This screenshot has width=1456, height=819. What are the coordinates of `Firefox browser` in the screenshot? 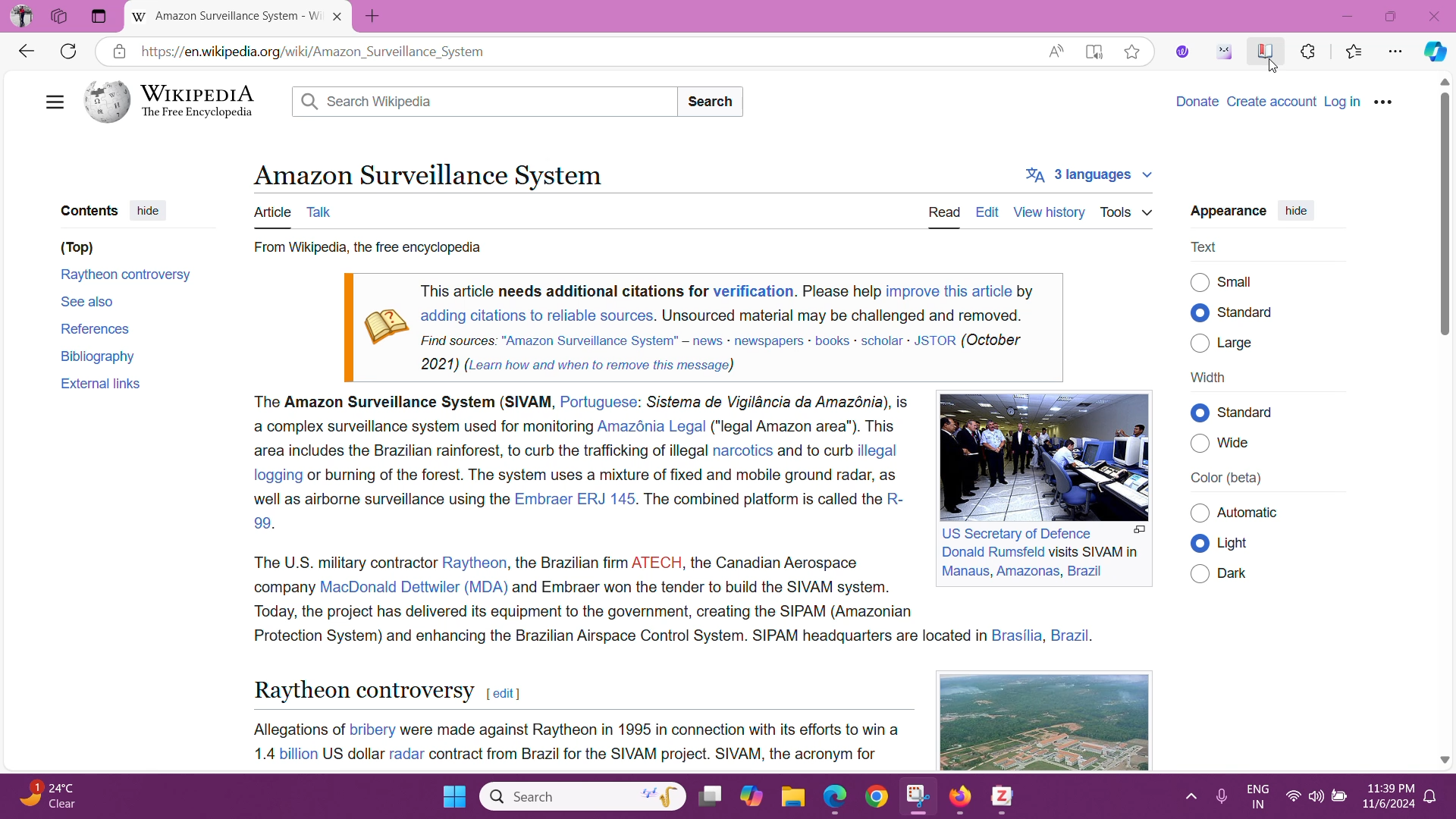 It's located at (962, 797).